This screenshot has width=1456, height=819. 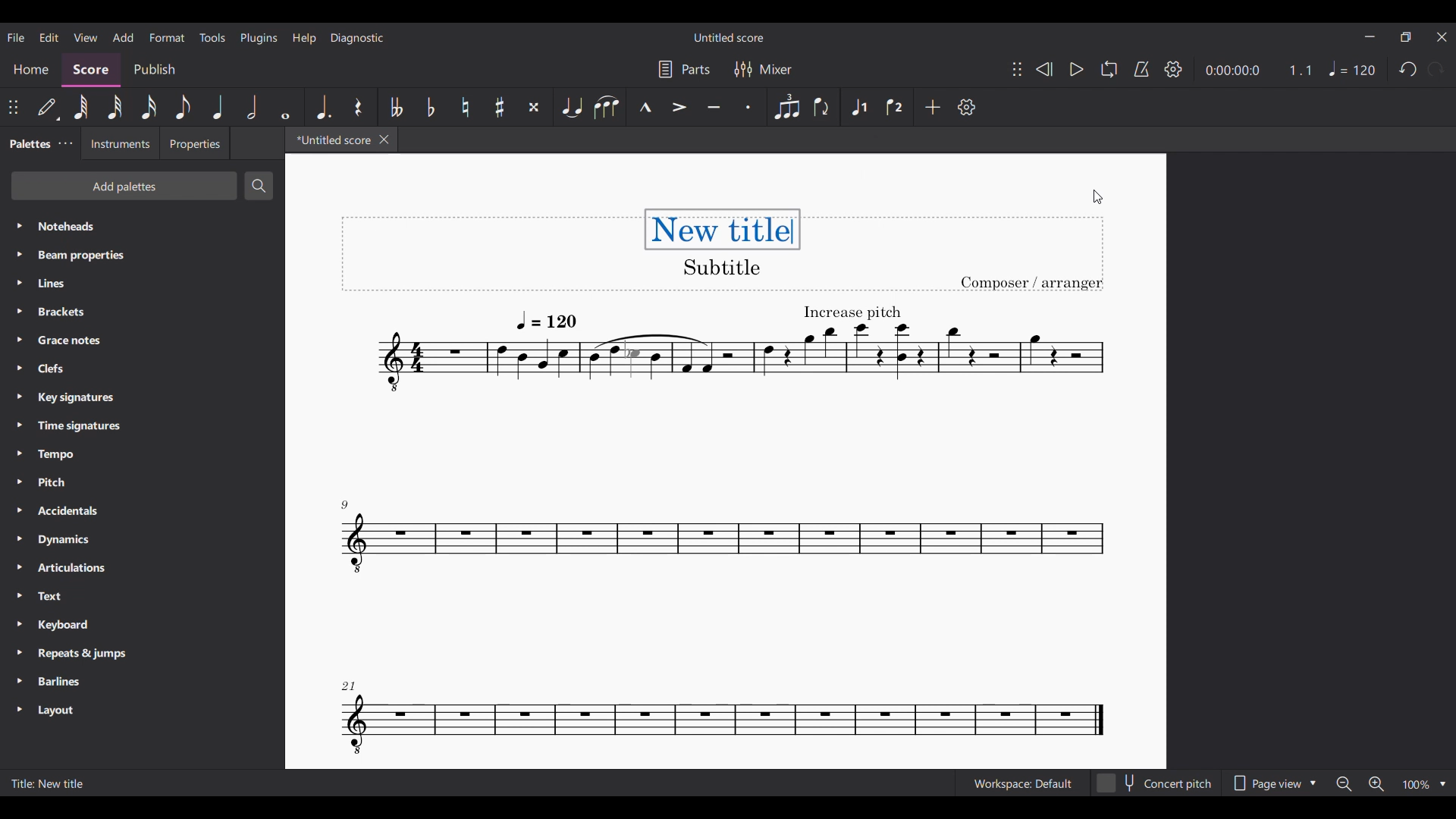 What do you see at coordinates (143, 624) in the screenshot?
I see `Keyboard` at bounding box center [143, 624].